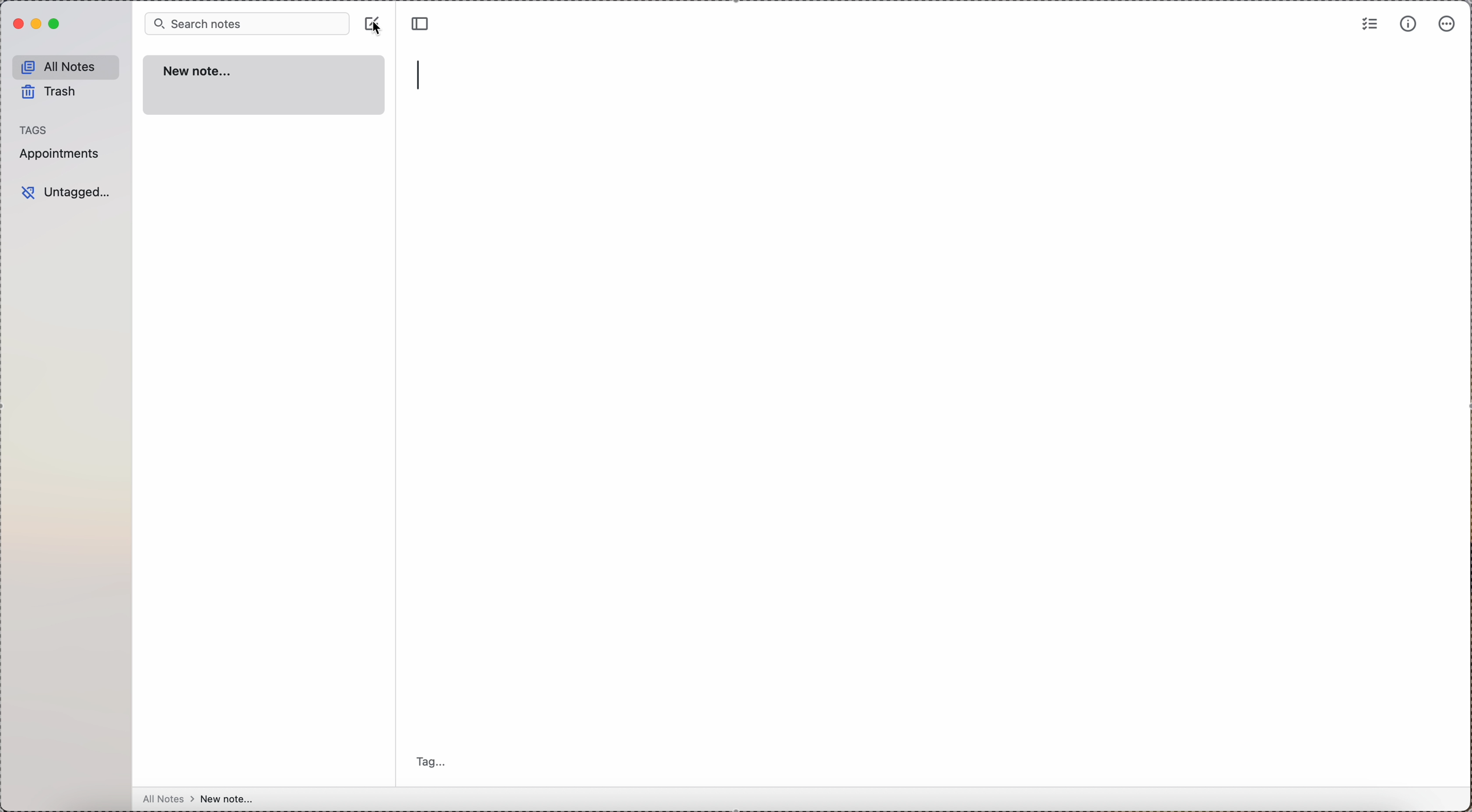  What do you see at coordinates (17, 24) in the screenshot?
I see `close Simplenote` at bounding box center [17, 24].